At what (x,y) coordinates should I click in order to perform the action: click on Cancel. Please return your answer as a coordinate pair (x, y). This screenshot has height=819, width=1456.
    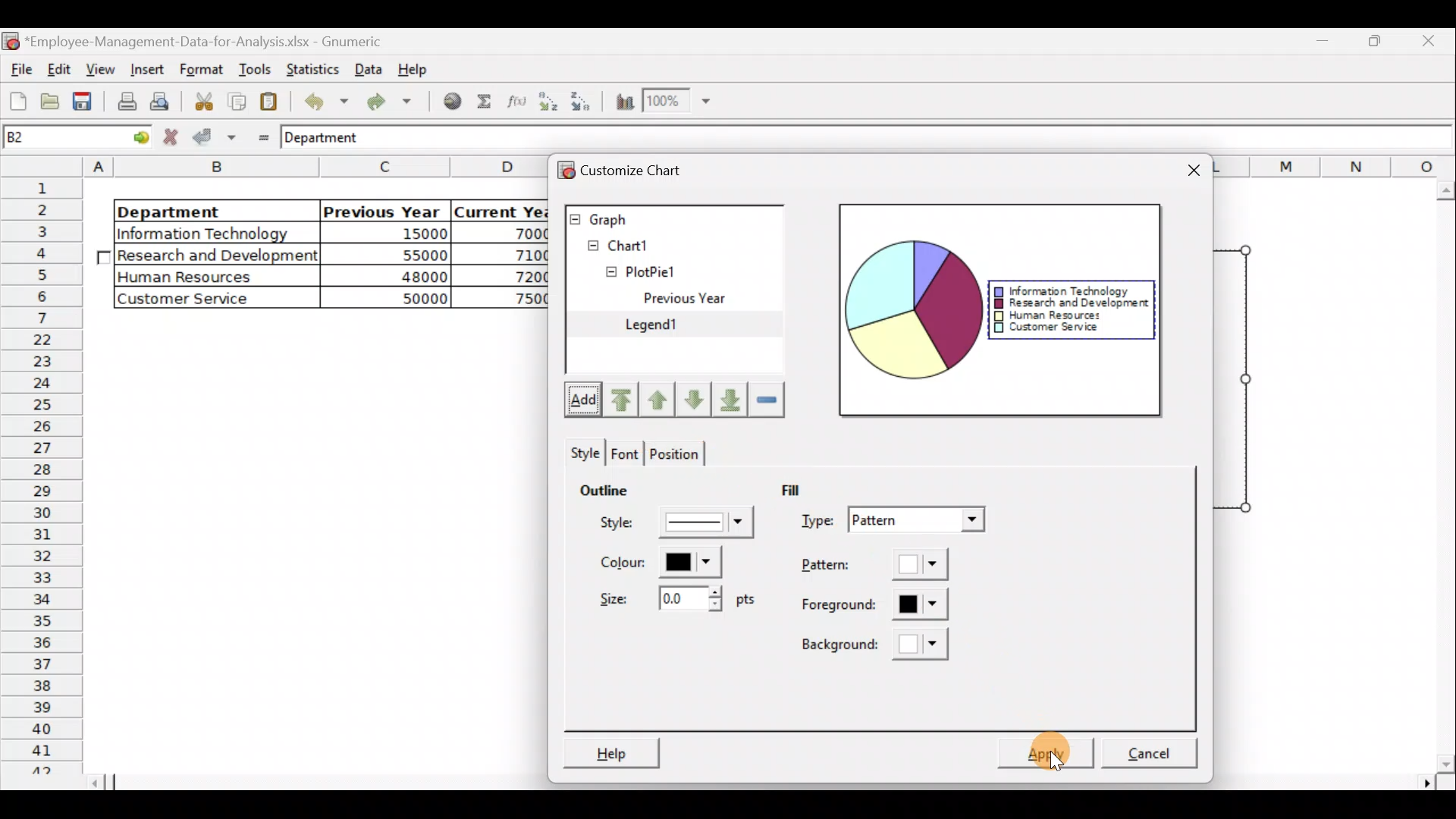
    Looking at the image, I should click on (1151, 746).